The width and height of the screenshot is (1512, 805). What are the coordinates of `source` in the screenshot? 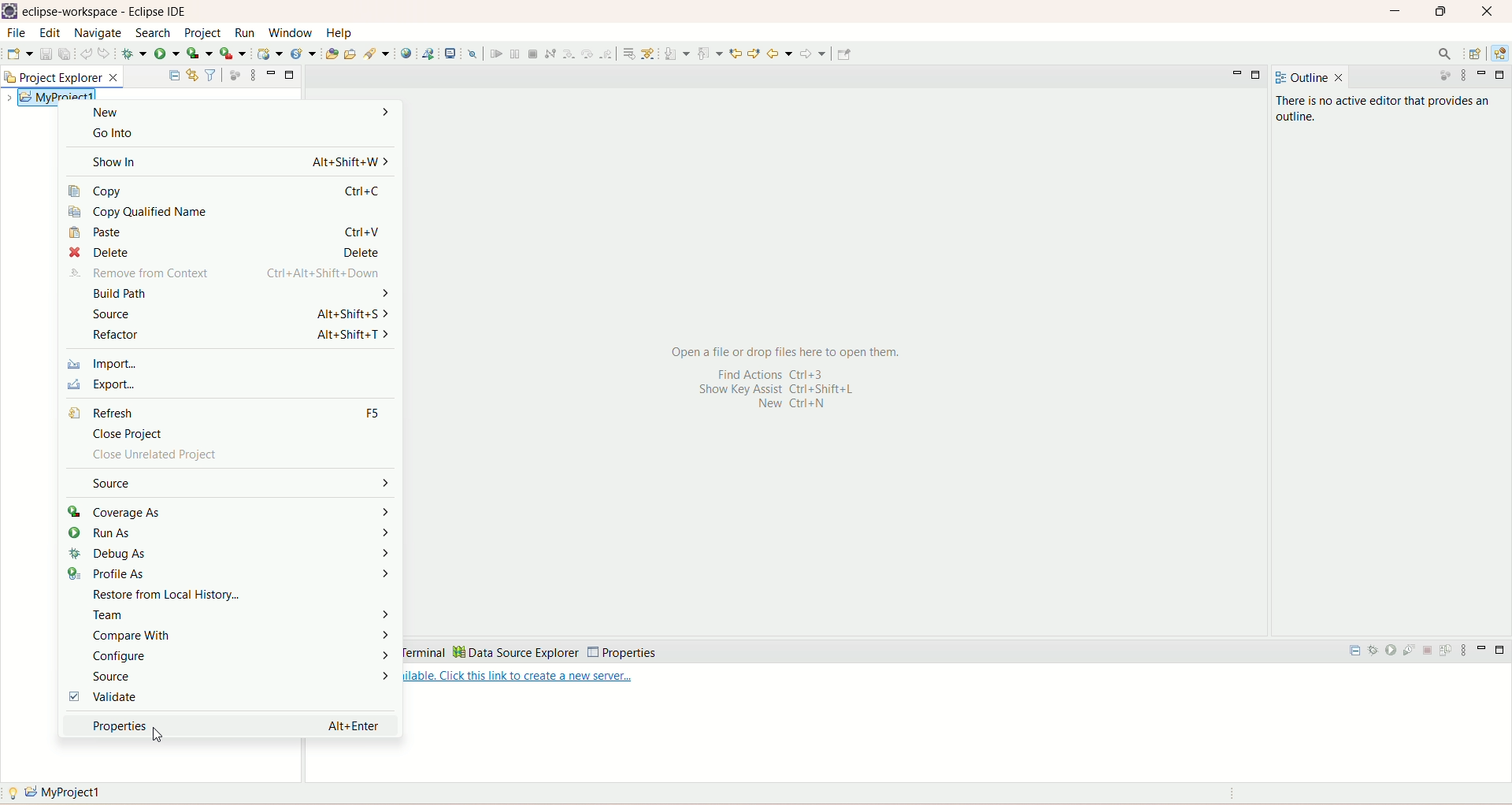 It's located at (229, 676).